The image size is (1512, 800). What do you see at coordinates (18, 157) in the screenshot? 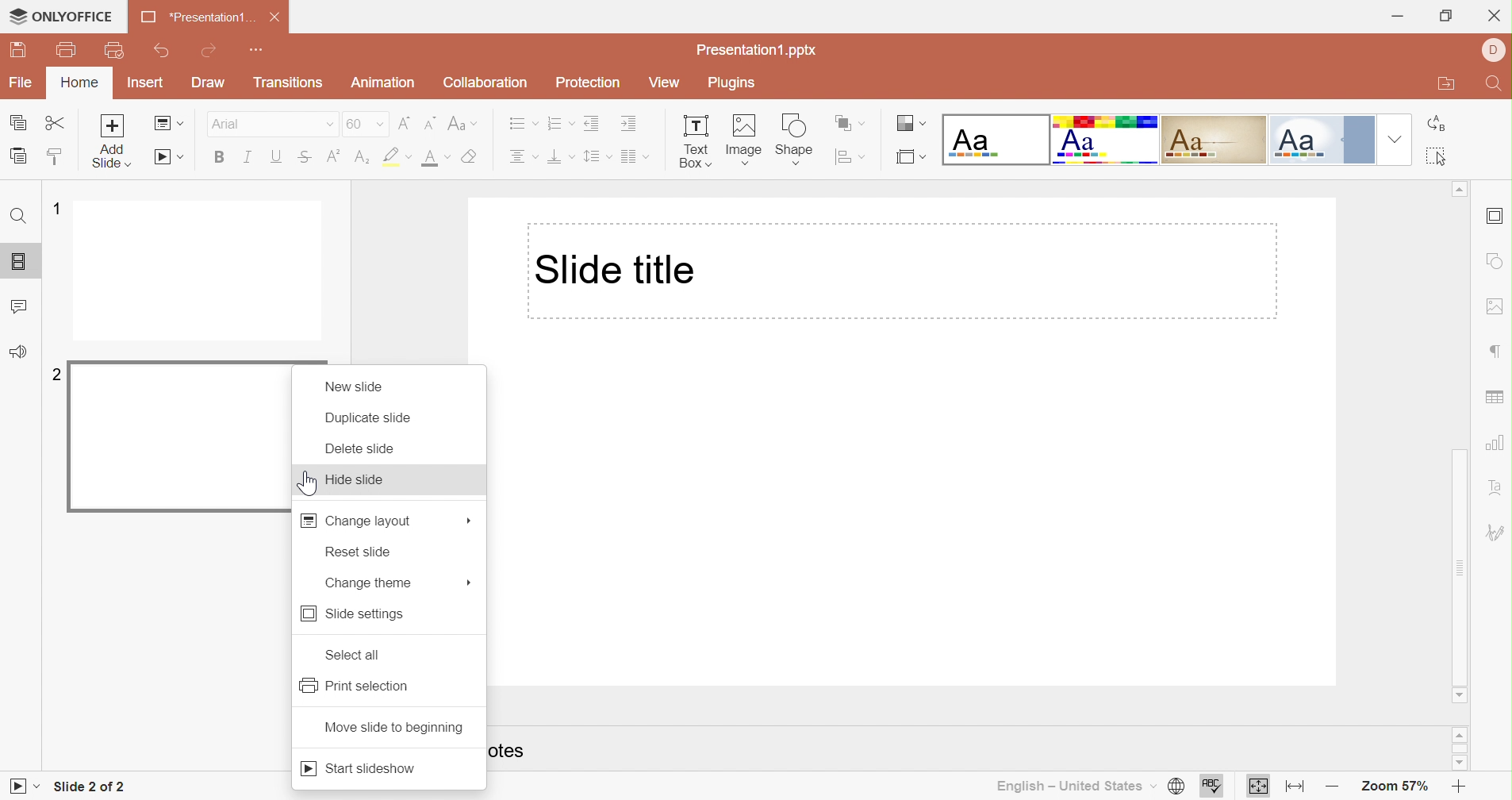
I see `Paste` at bounding box center [18, 157].